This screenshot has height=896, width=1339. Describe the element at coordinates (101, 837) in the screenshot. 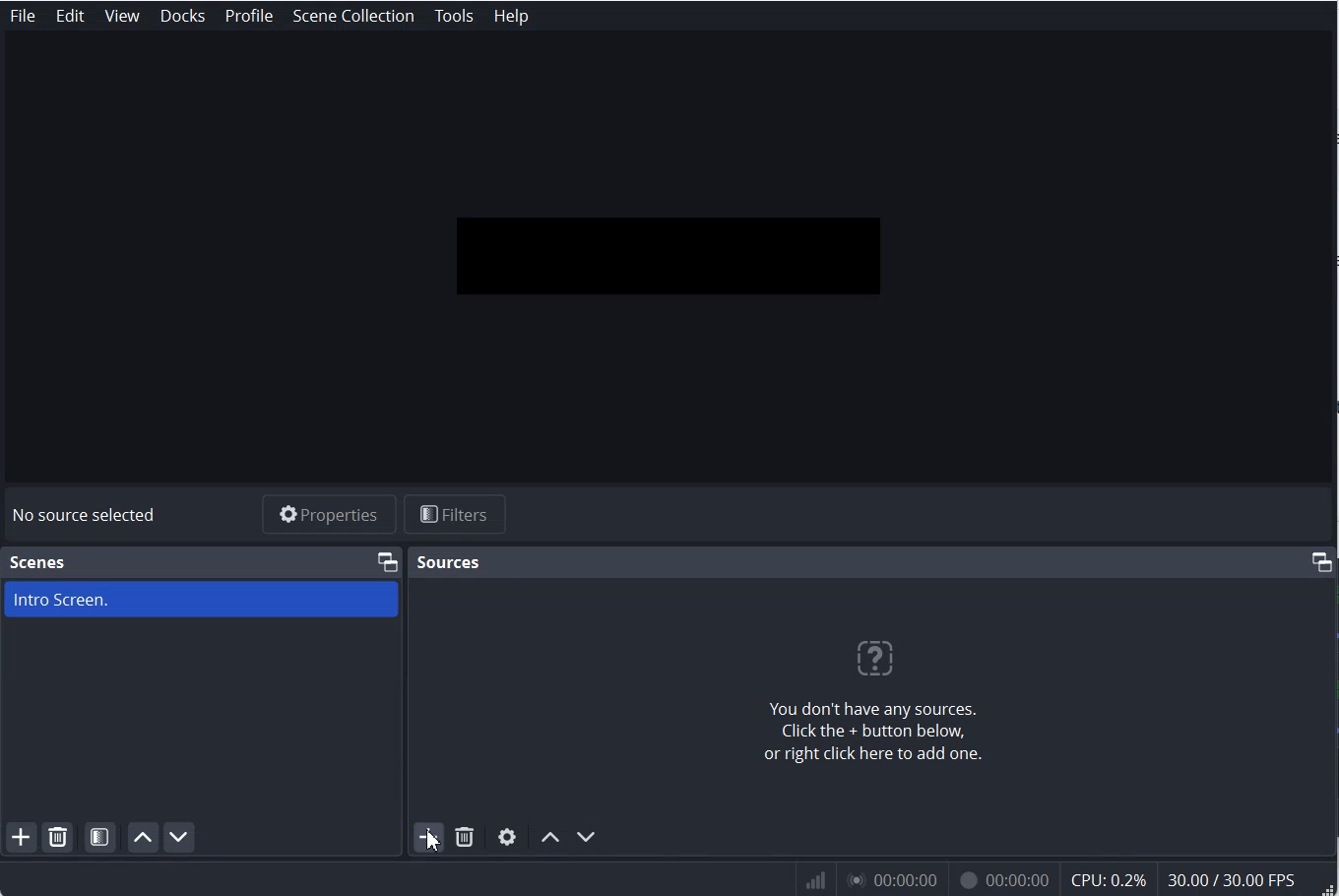

I see `Open Scene Filter` at that location.